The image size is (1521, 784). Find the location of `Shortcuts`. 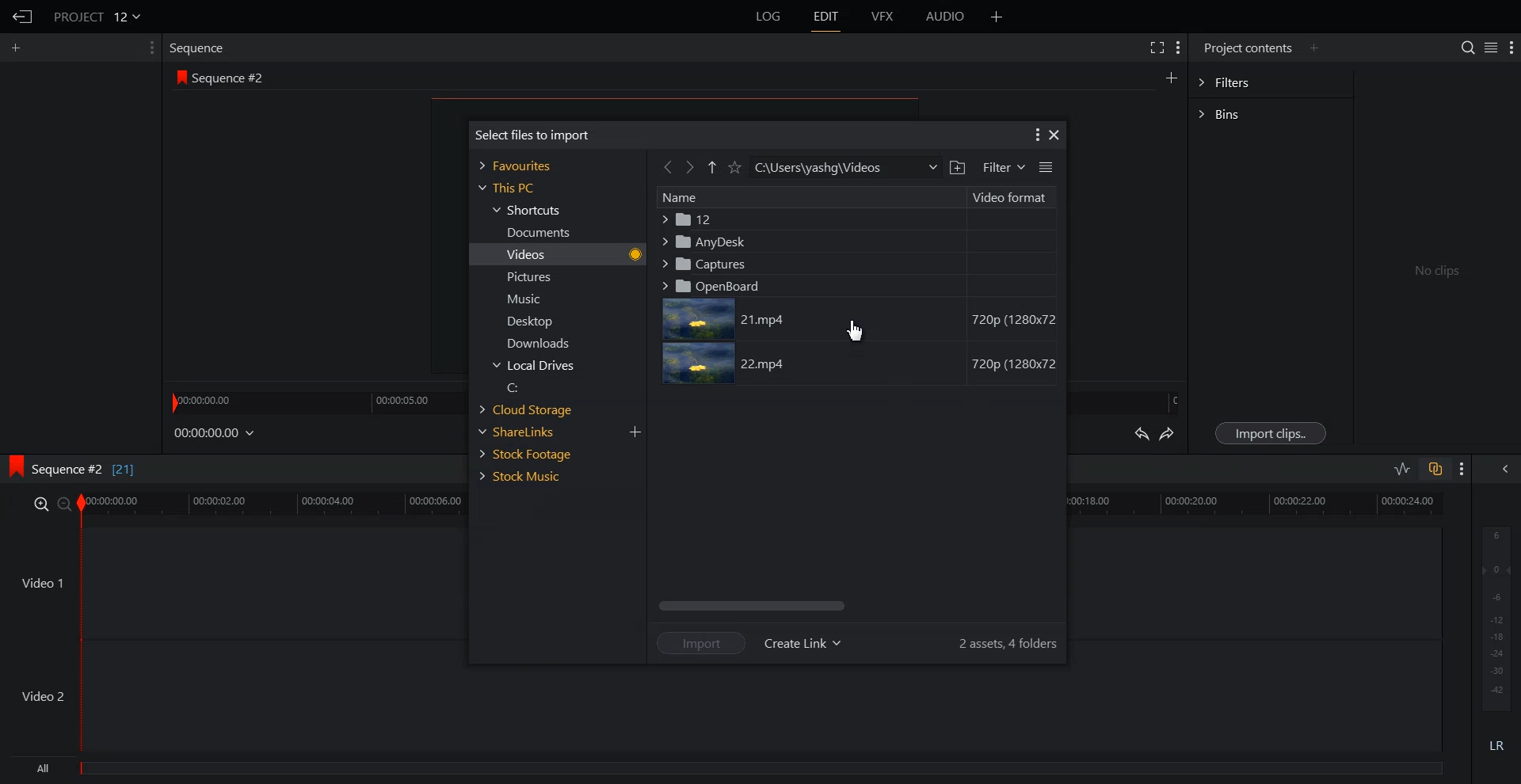

Shortcuts is located at coordinates (529, 210).